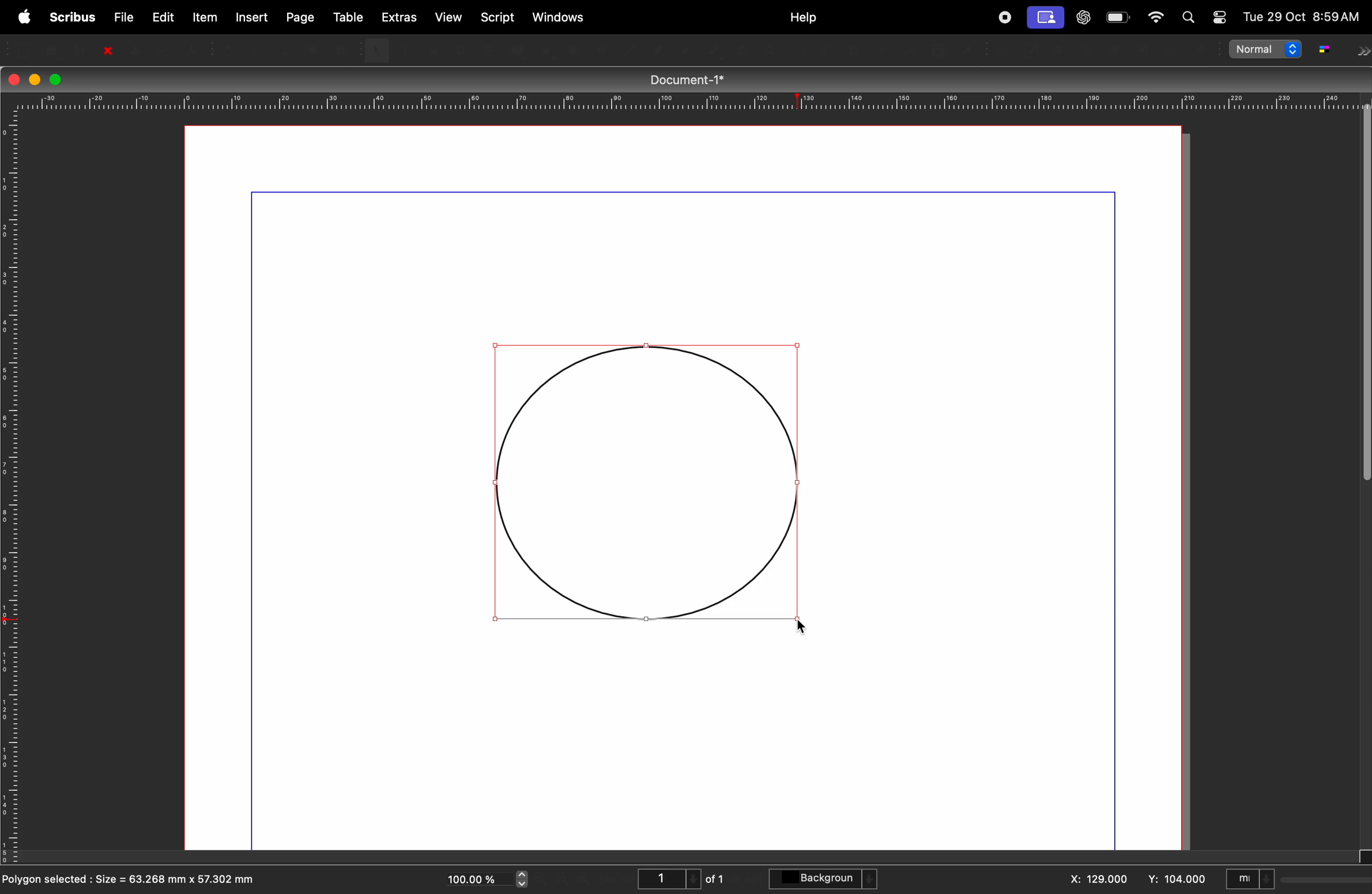 The image size is (1372, 894). What do you see at coordinates (1173, 51) in the screenshot?
I see `Text annotation` at bounding box center [1173, 51].